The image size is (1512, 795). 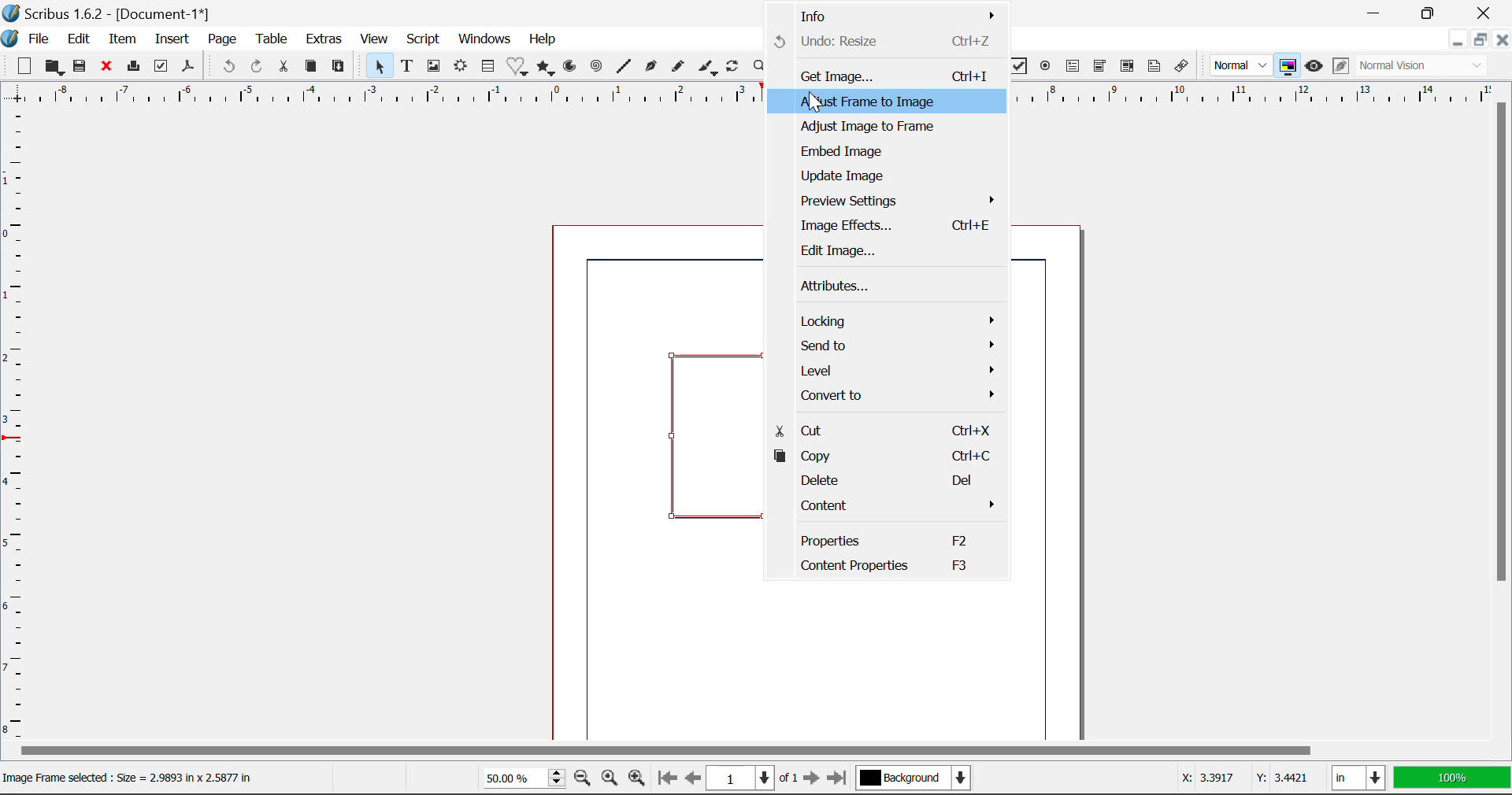 What do you see at coordinates (228, 66) in the screenshot?
I see `Undo` at bounding box center [228, 66].